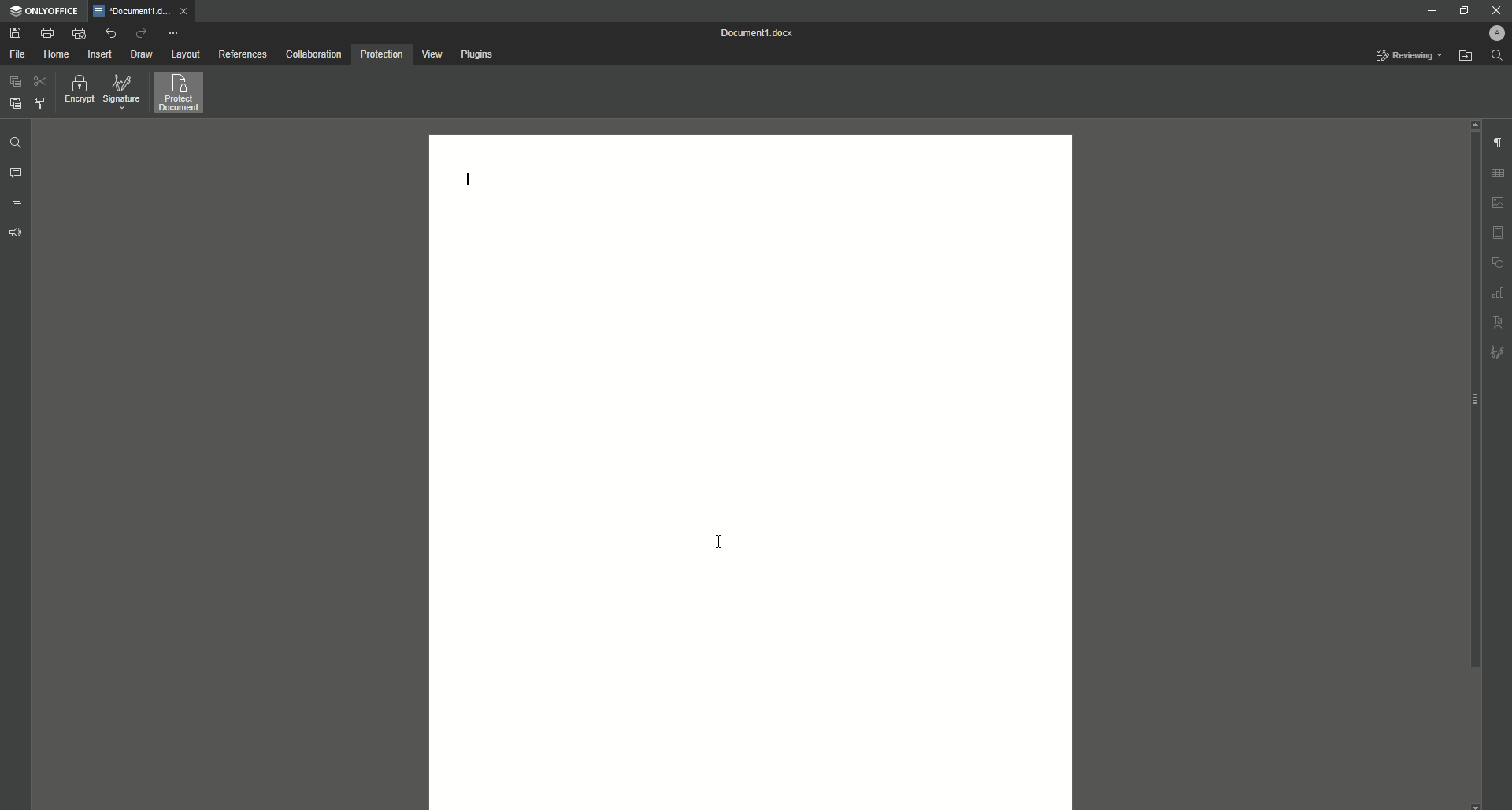 Image resolution: width=1512 pixels, height=810 pixels. I want to click on Protect Document, so click(183, 92).